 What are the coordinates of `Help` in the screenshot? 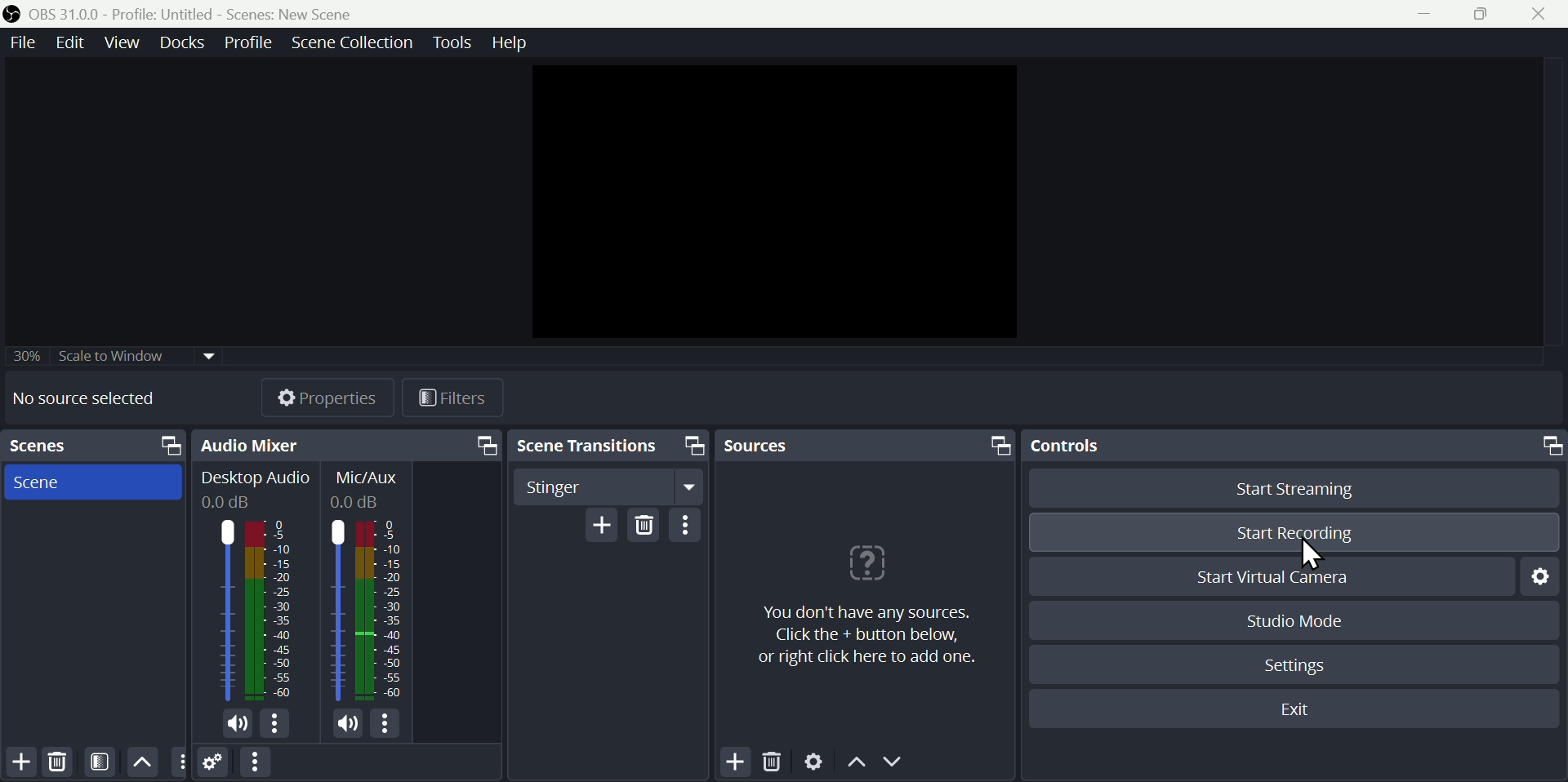 It's located at (506, 47).